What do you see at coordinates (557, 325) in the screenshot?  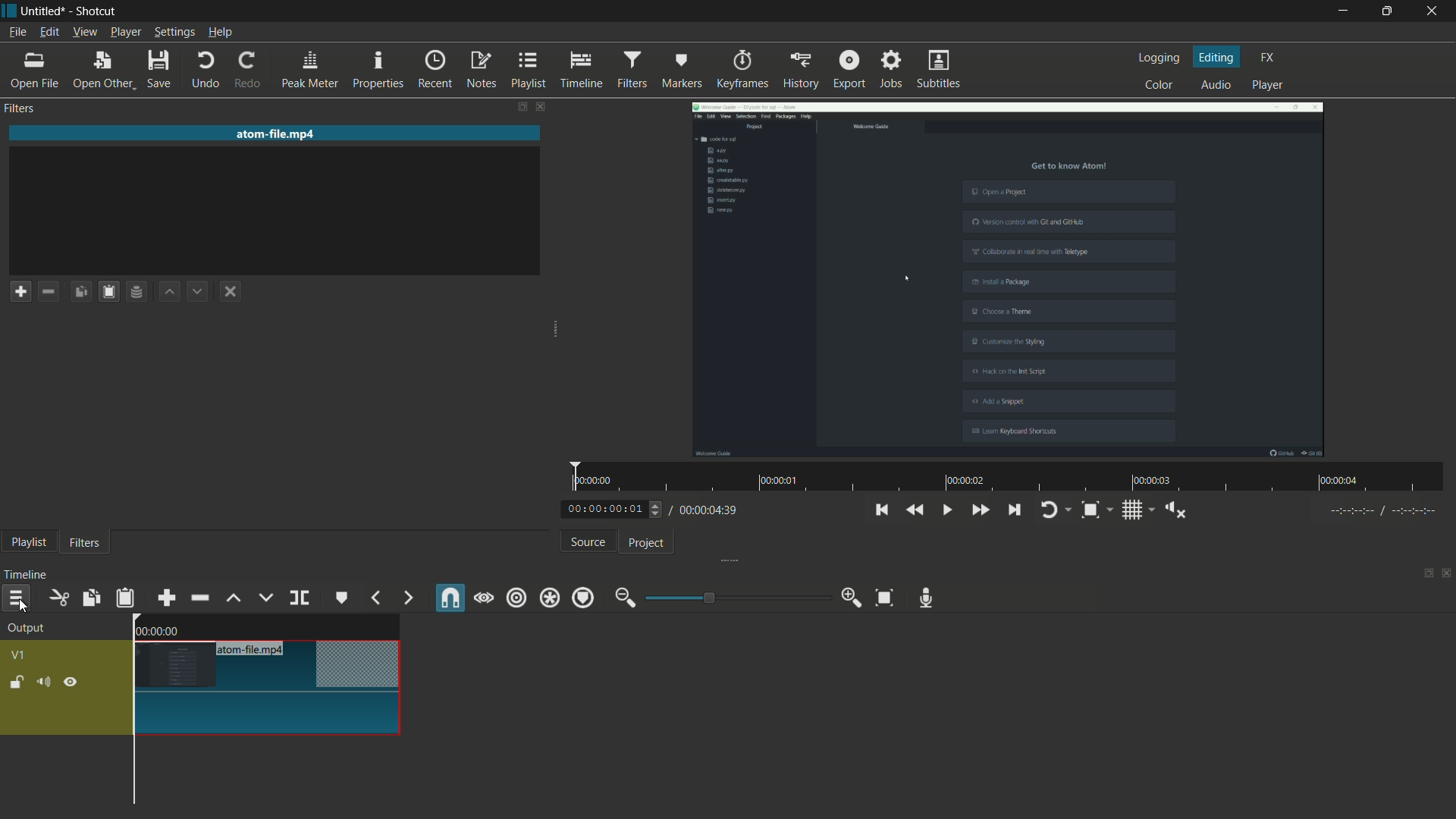 I see `expand` at bounding box center [557, 325].